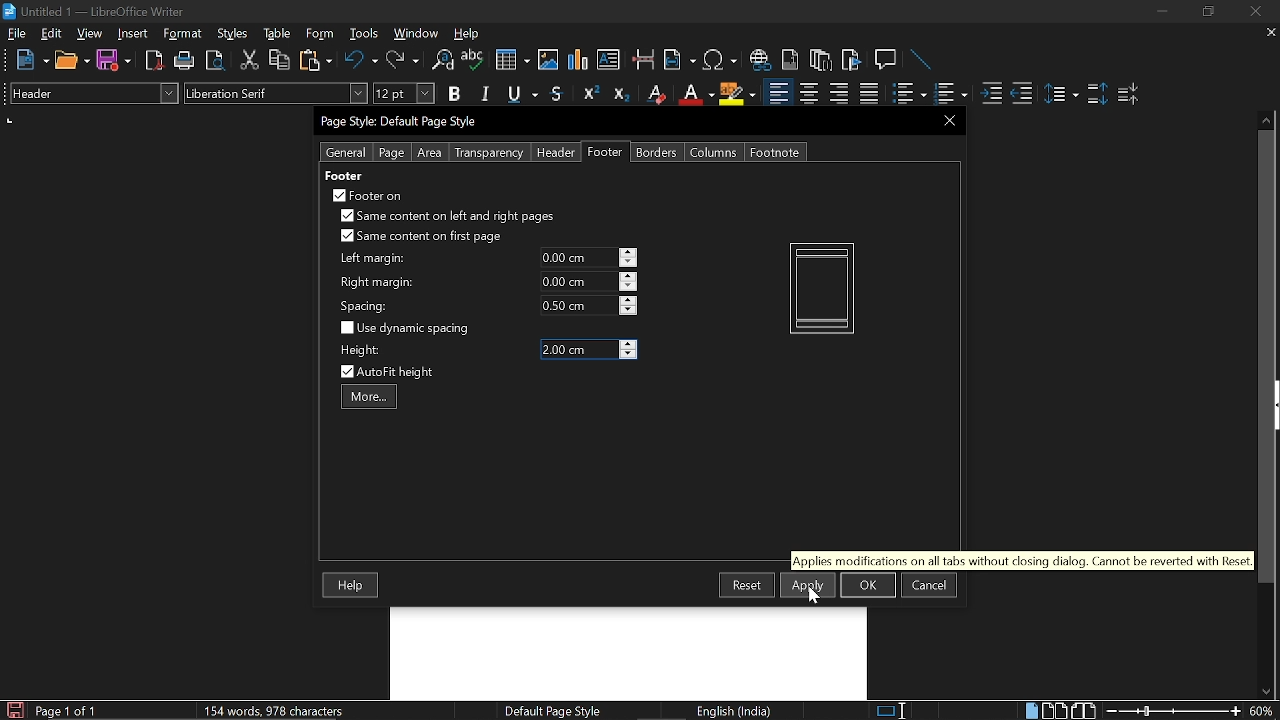 The height and width of the screenshot is (720, 1280). I want to click on HElp, so click(468, 33).